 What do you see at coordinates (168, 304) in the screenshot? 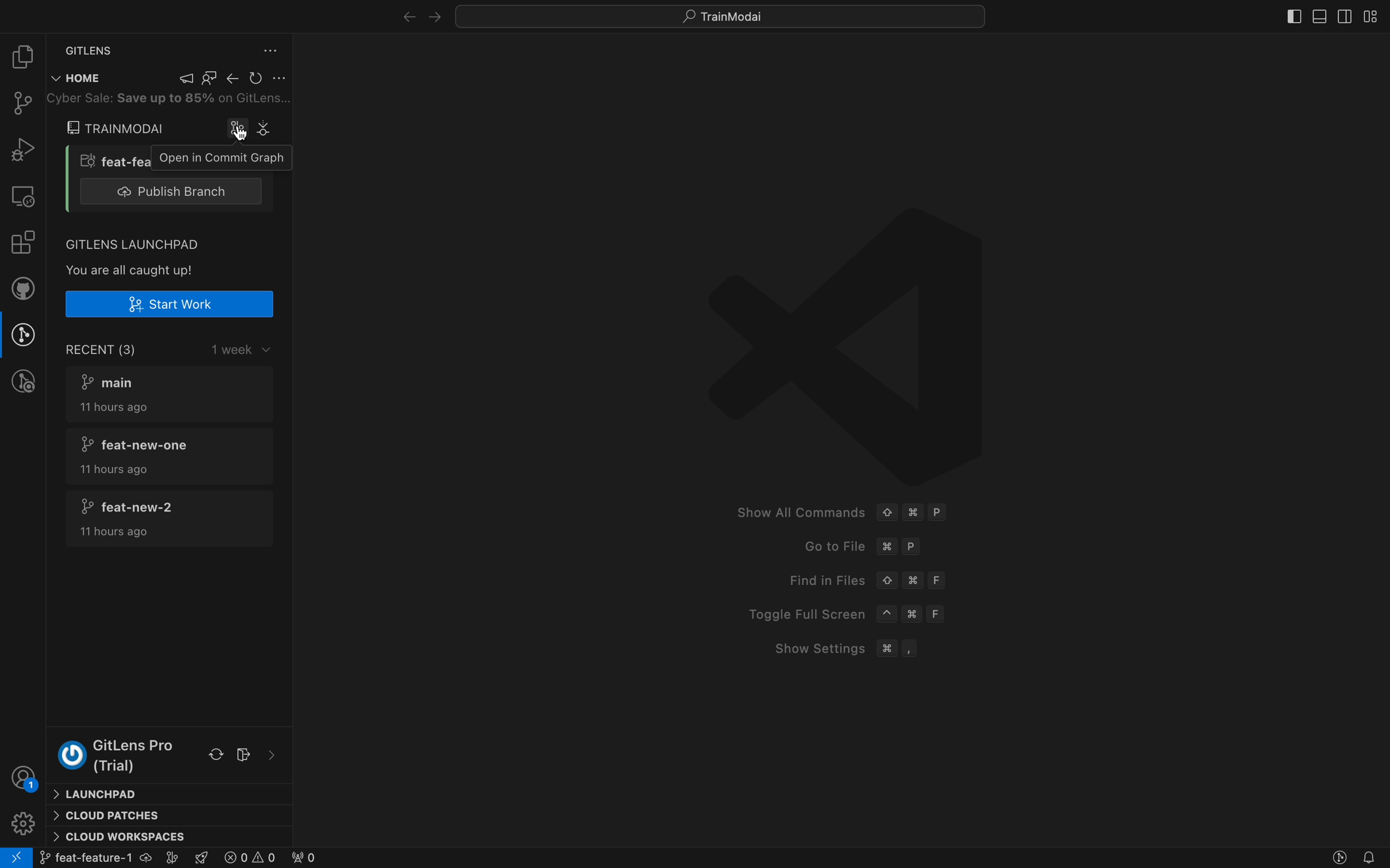
I see `create a new branch to work` at bounding box center [168, 304].